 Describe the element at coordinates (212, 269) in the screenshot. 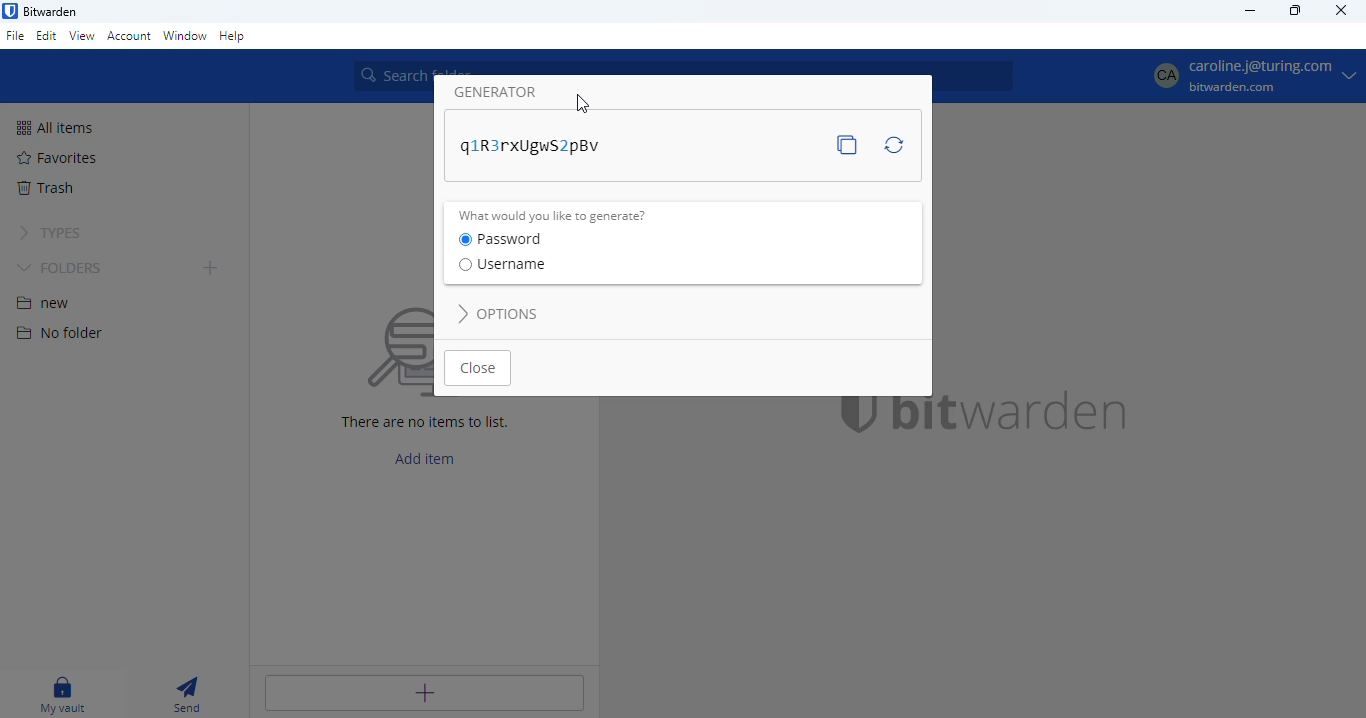

I see `add folder` at that location.